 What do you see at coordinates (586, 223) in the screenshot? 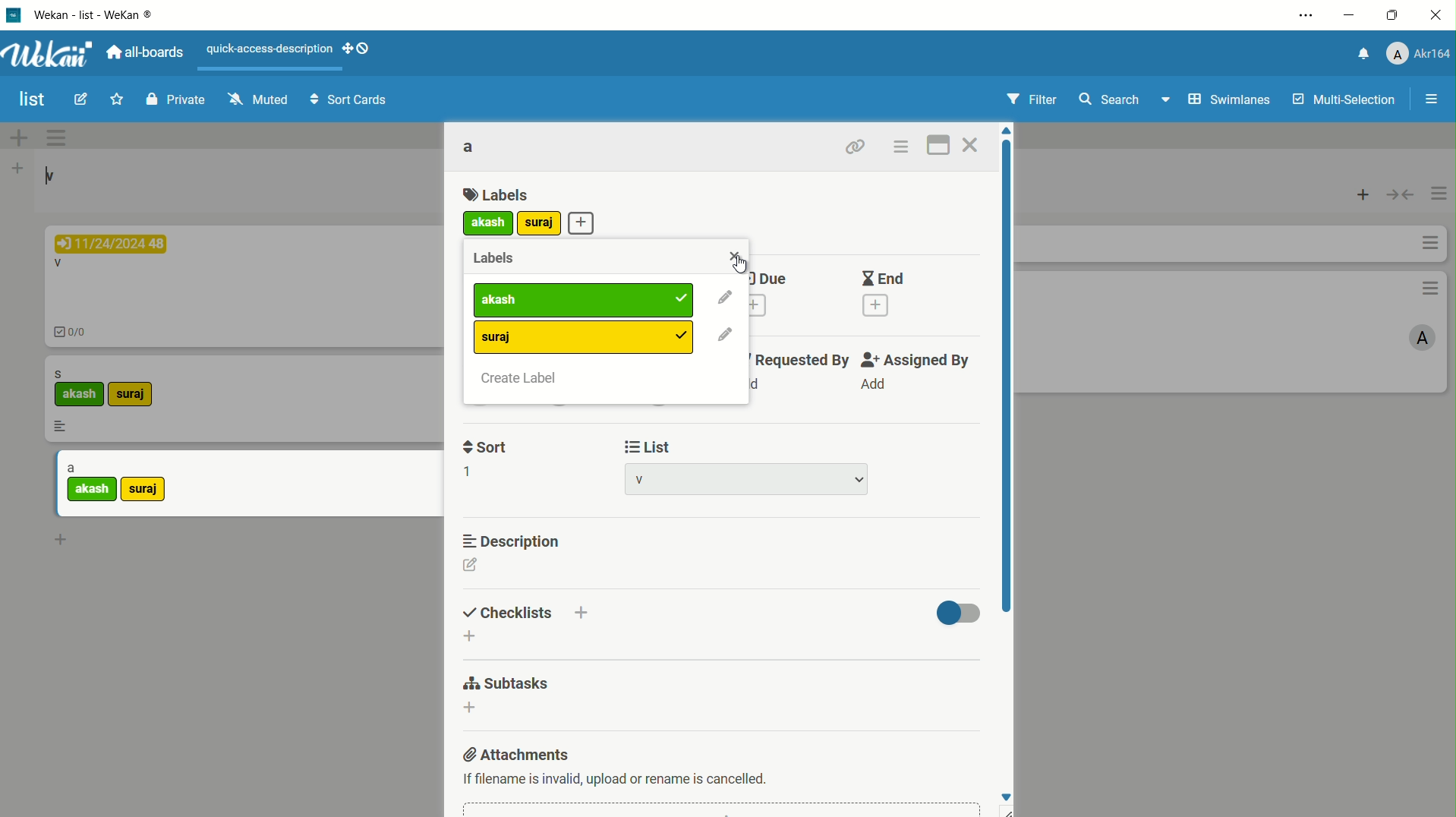
I see `add` at bounding box center [586, 223].